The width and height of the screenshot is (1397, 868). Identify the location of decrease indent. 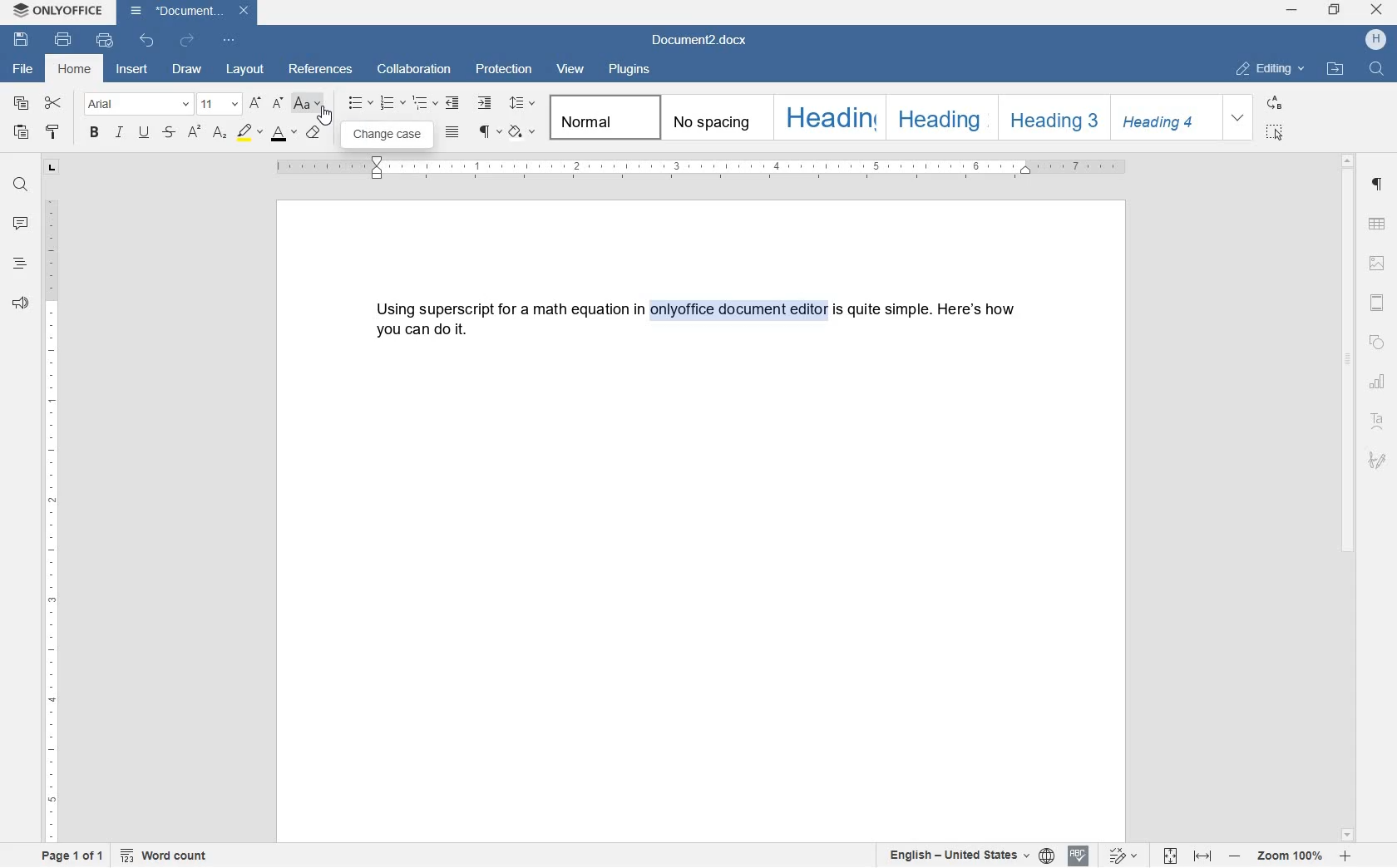
(453, 104).